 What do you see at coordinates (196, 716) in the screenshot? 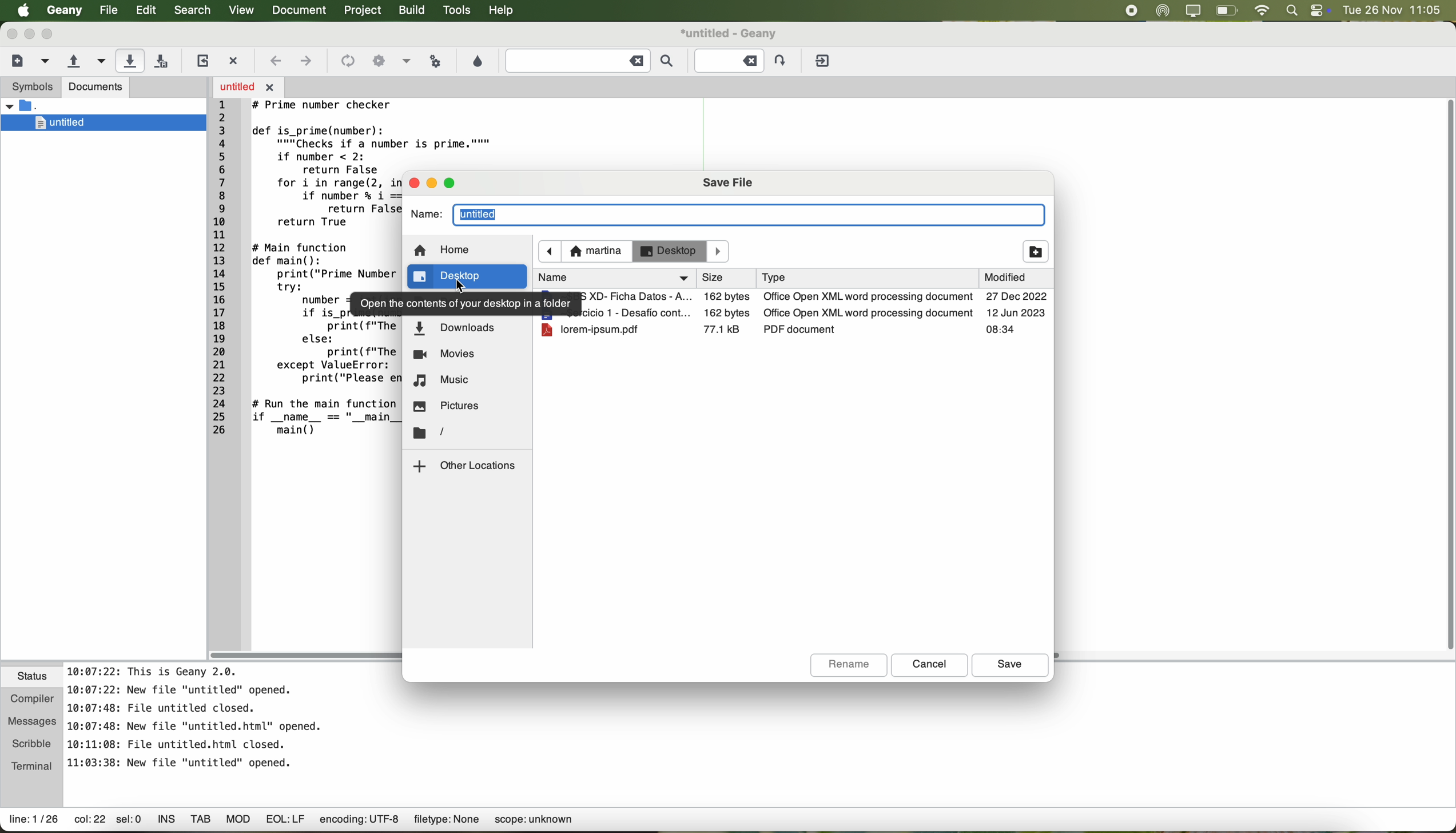
I see `notes` at bounding box center [196, 716].